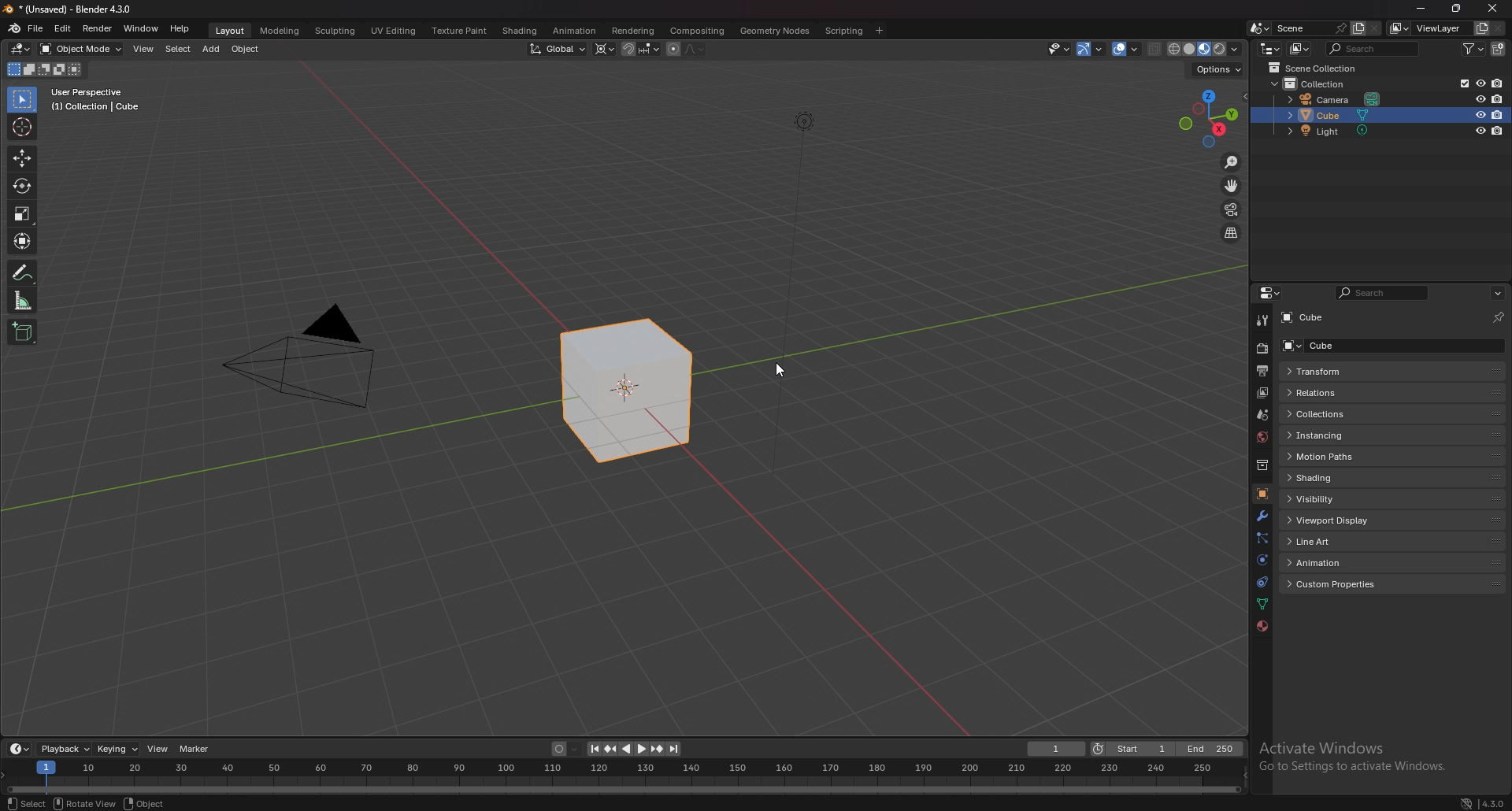 The width and height of the screenshot is (1512, 811). Describe the element at coordinates (1335, 562) in the screenshot. I see `animation` at that location.